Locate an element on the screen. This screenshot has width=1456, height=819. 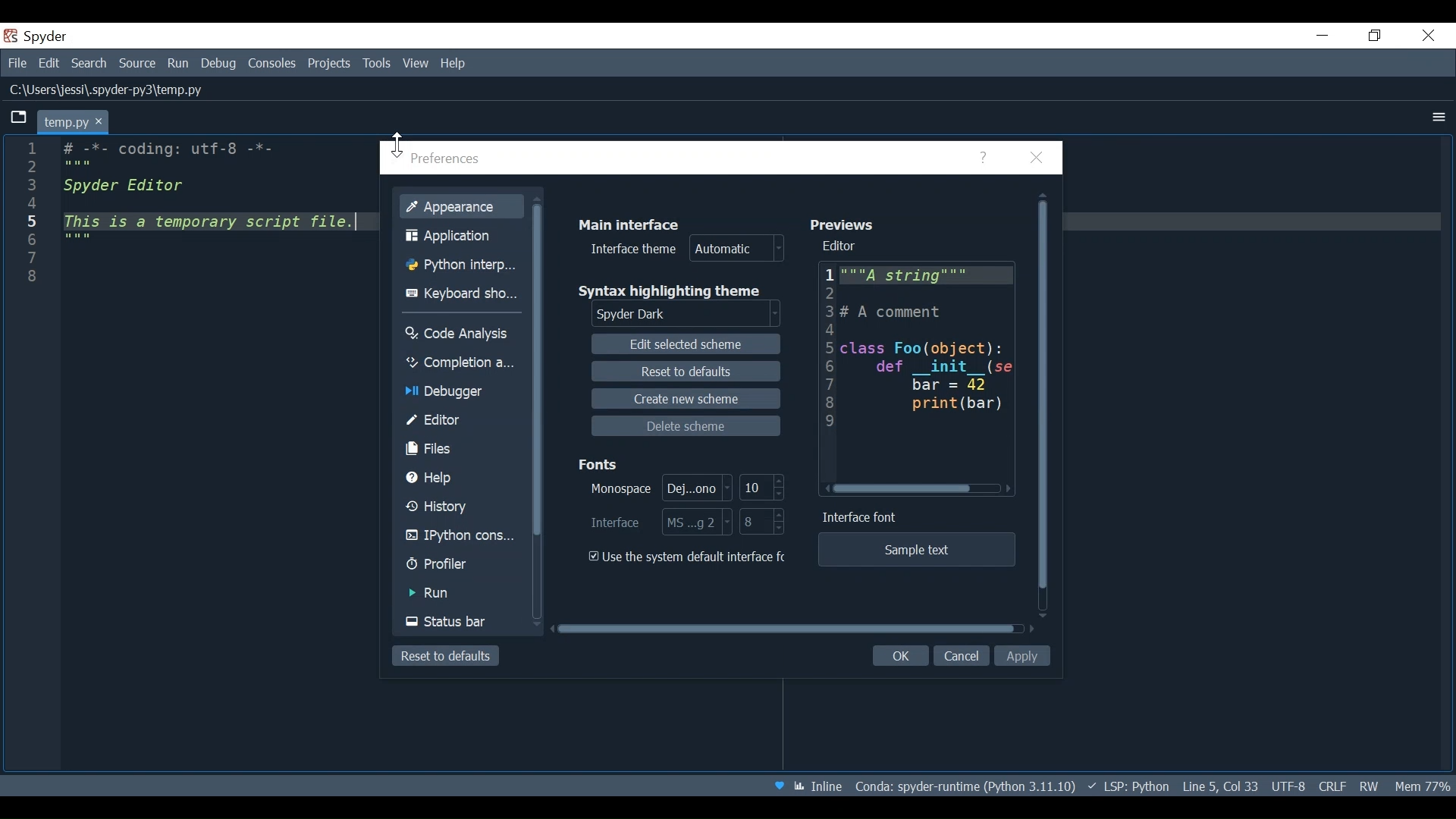
Scroll left is located at coordinates (826, 489).